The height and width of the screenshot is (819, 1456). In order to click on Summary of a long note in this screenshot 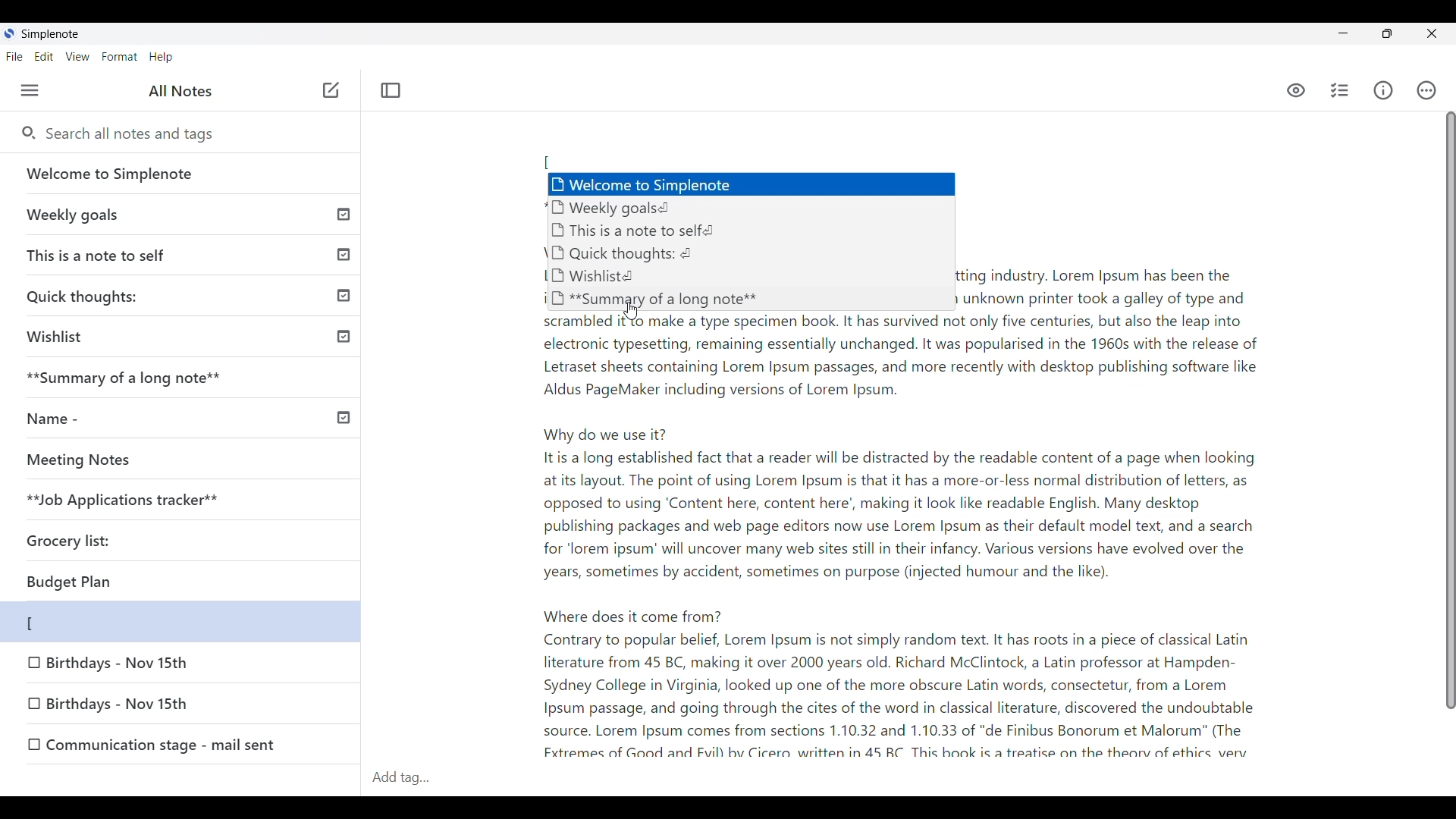, I will do `click(184, 378)`.